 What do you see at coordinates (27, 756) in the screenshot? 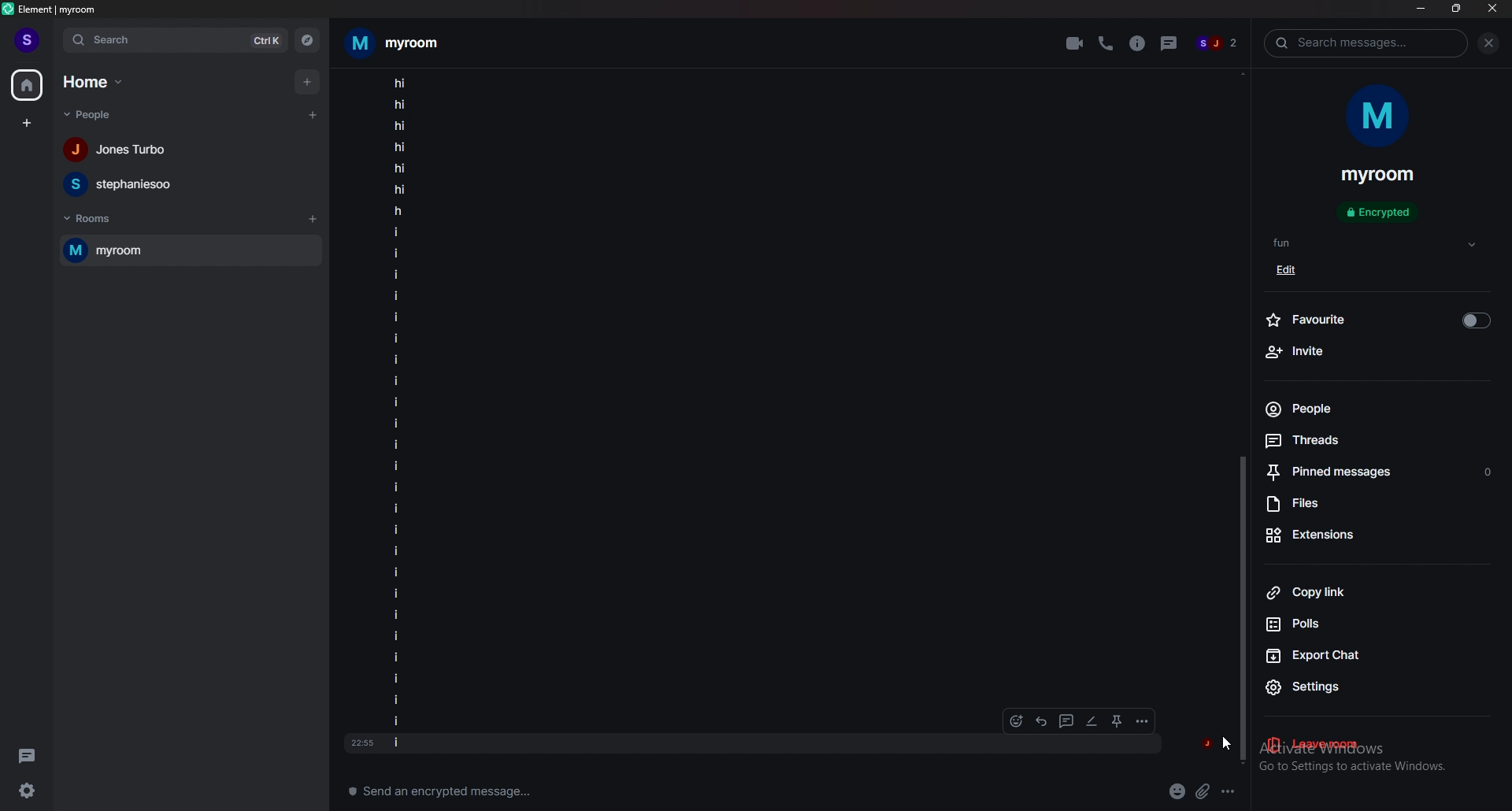
I see `threads` at bounding box center [27, 756].